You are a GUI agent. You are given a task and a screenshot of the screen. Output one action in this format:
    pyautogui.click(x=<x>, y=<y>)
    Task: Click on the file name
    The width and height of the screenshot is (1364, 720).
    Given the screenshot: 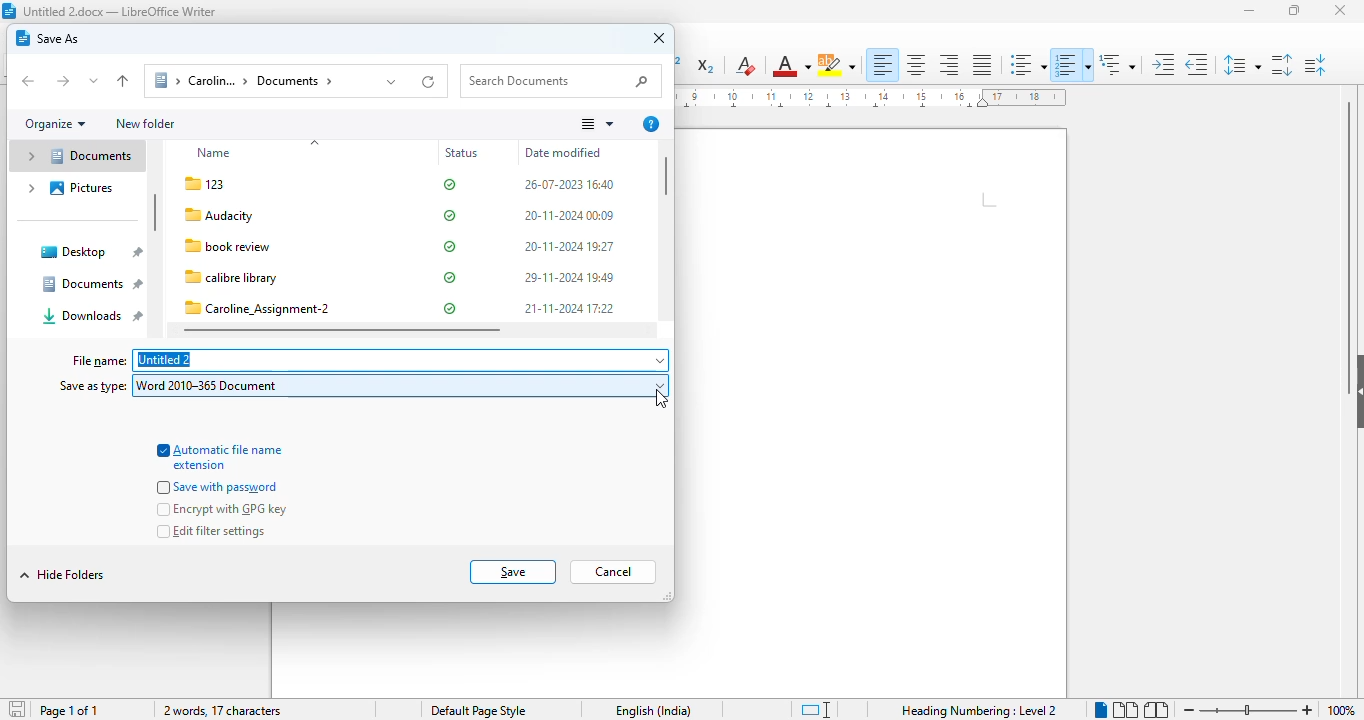 What is the action you would take?
    pyautogui.click(x=260, y=247)
    